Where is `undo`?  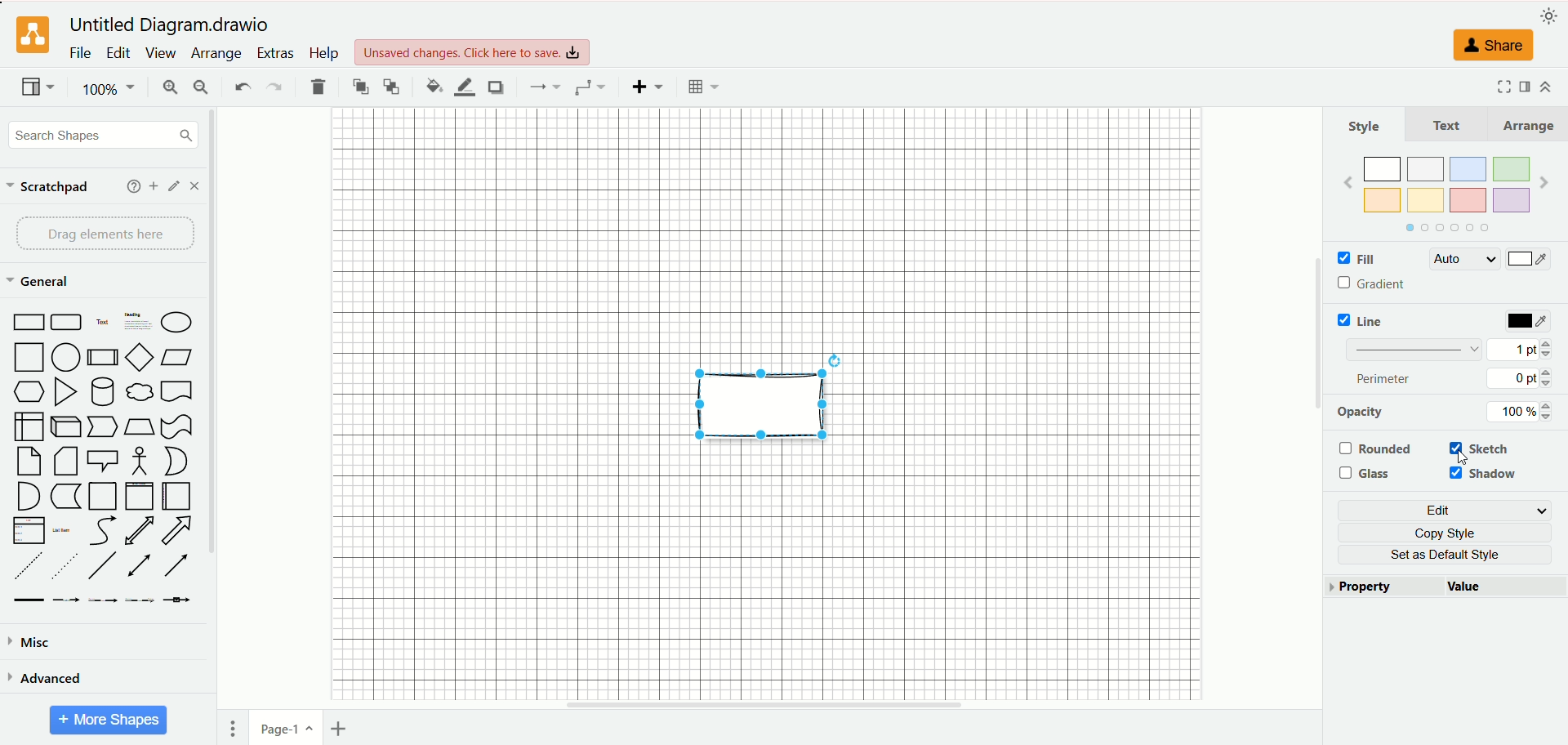
undo is located at coordinates (241, 85).